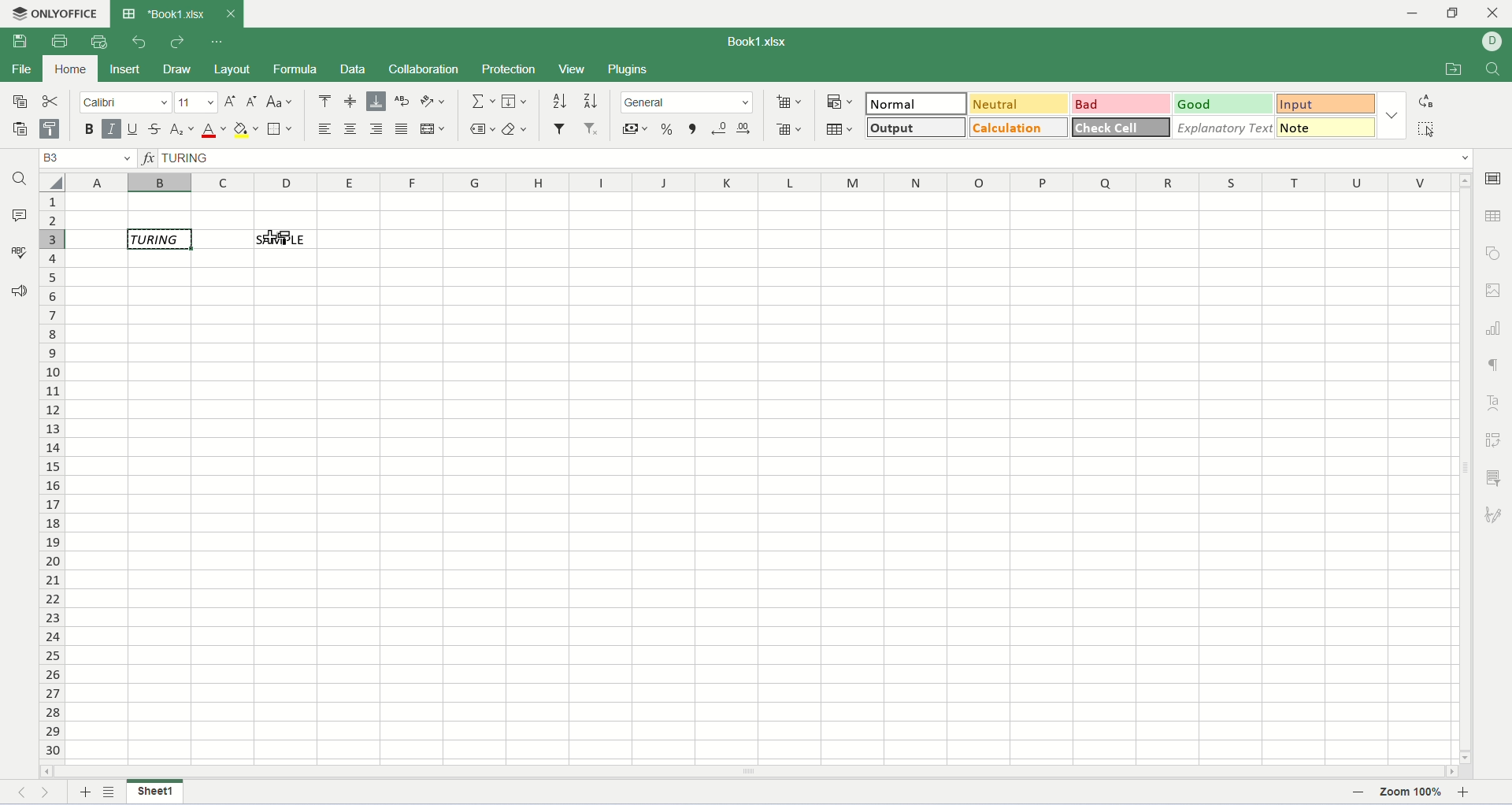 This screenshot has width=1512, height=805. I want to click on close, so click(229, 13).